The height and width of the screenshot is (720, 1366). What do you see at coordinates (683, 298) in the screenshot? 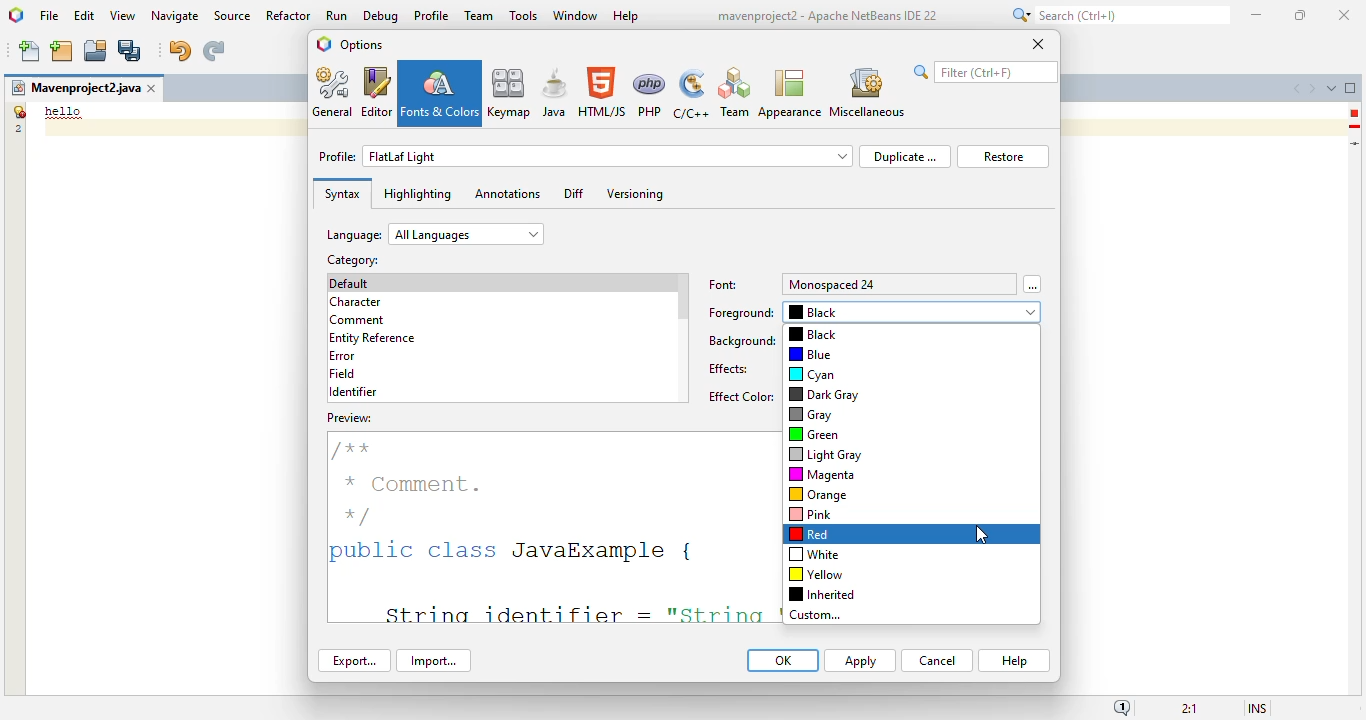
I see `vertical scroll bar` at bounding box center [683, 298].